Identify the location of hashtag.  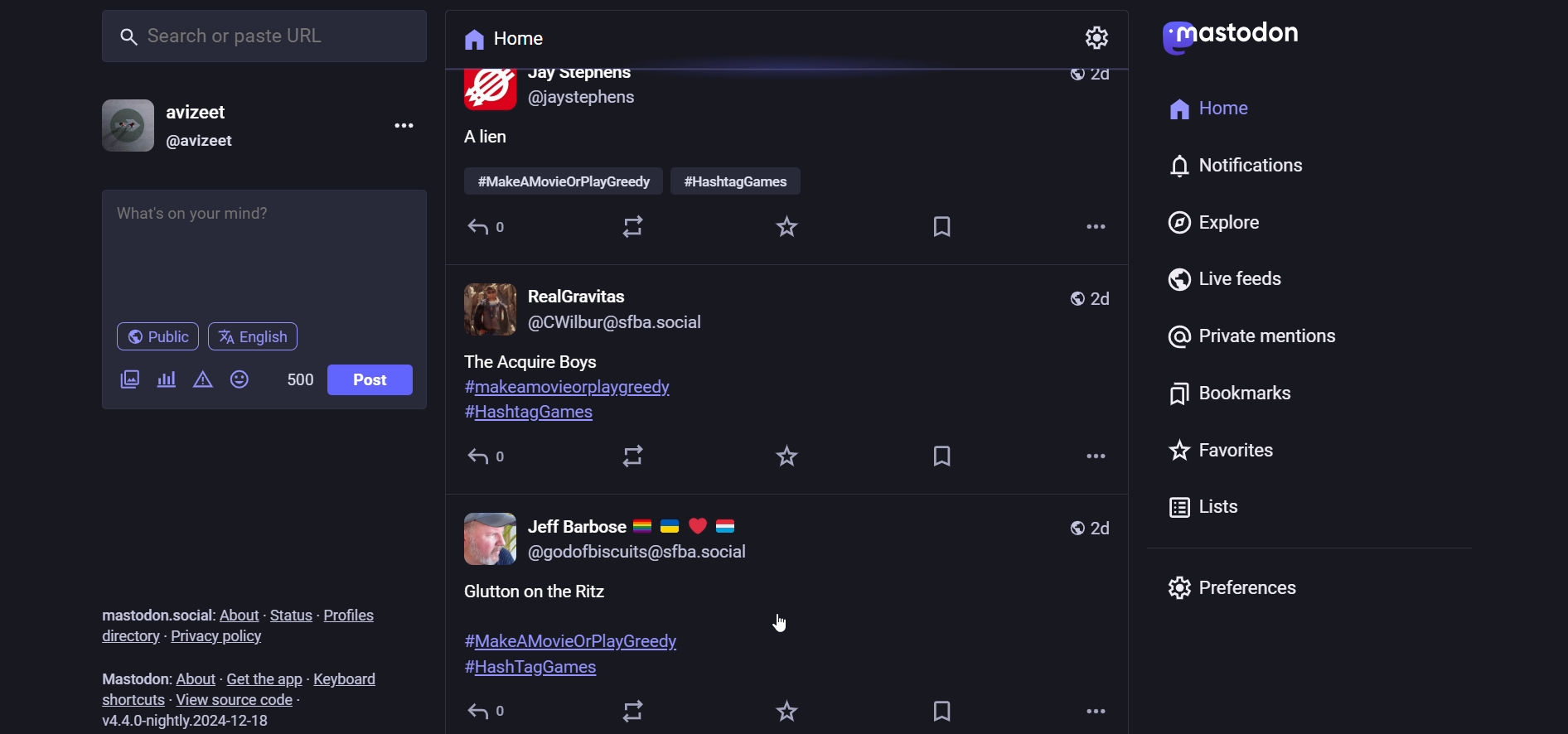
(580, 640).